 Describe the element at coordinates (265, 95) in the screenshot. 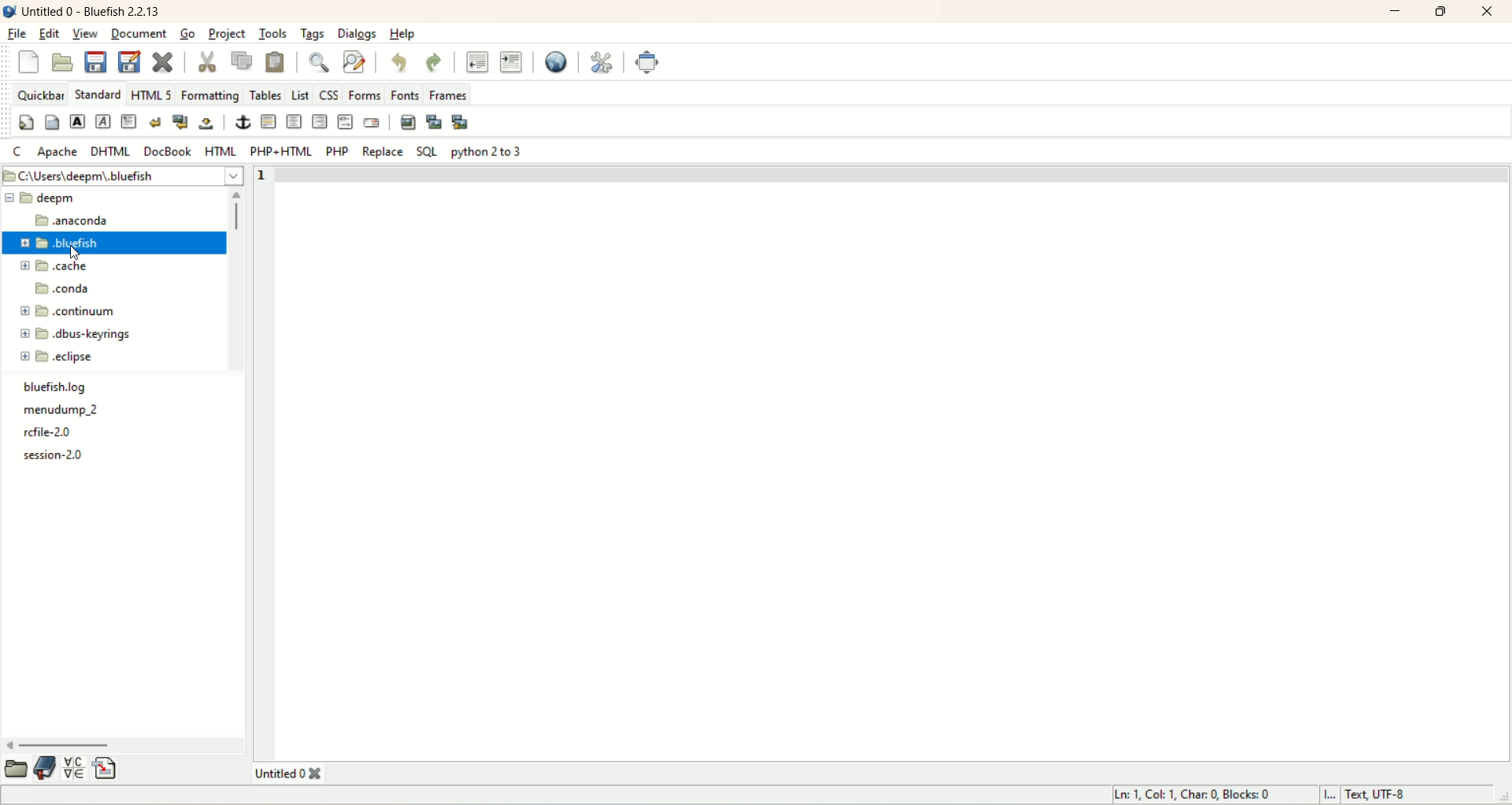

I see `tables` at that location.